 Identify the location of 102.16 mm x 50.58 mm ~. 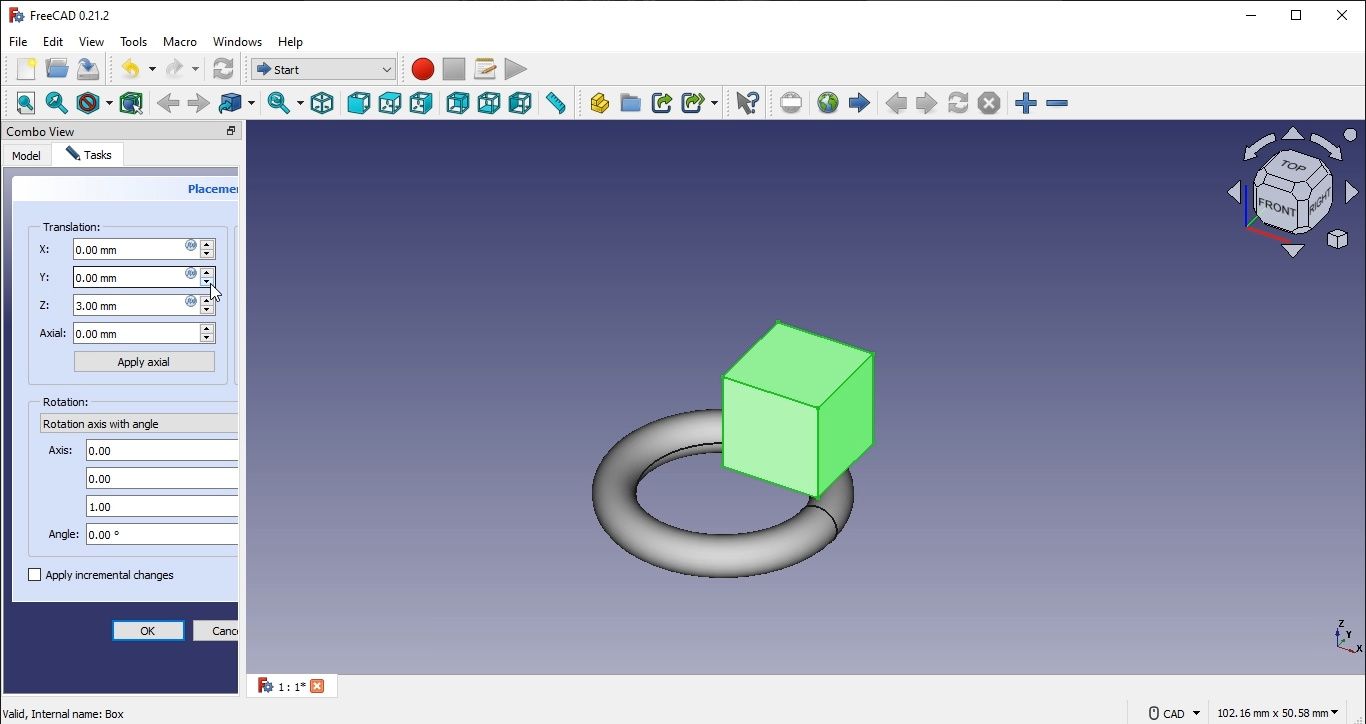
(1276, 712).